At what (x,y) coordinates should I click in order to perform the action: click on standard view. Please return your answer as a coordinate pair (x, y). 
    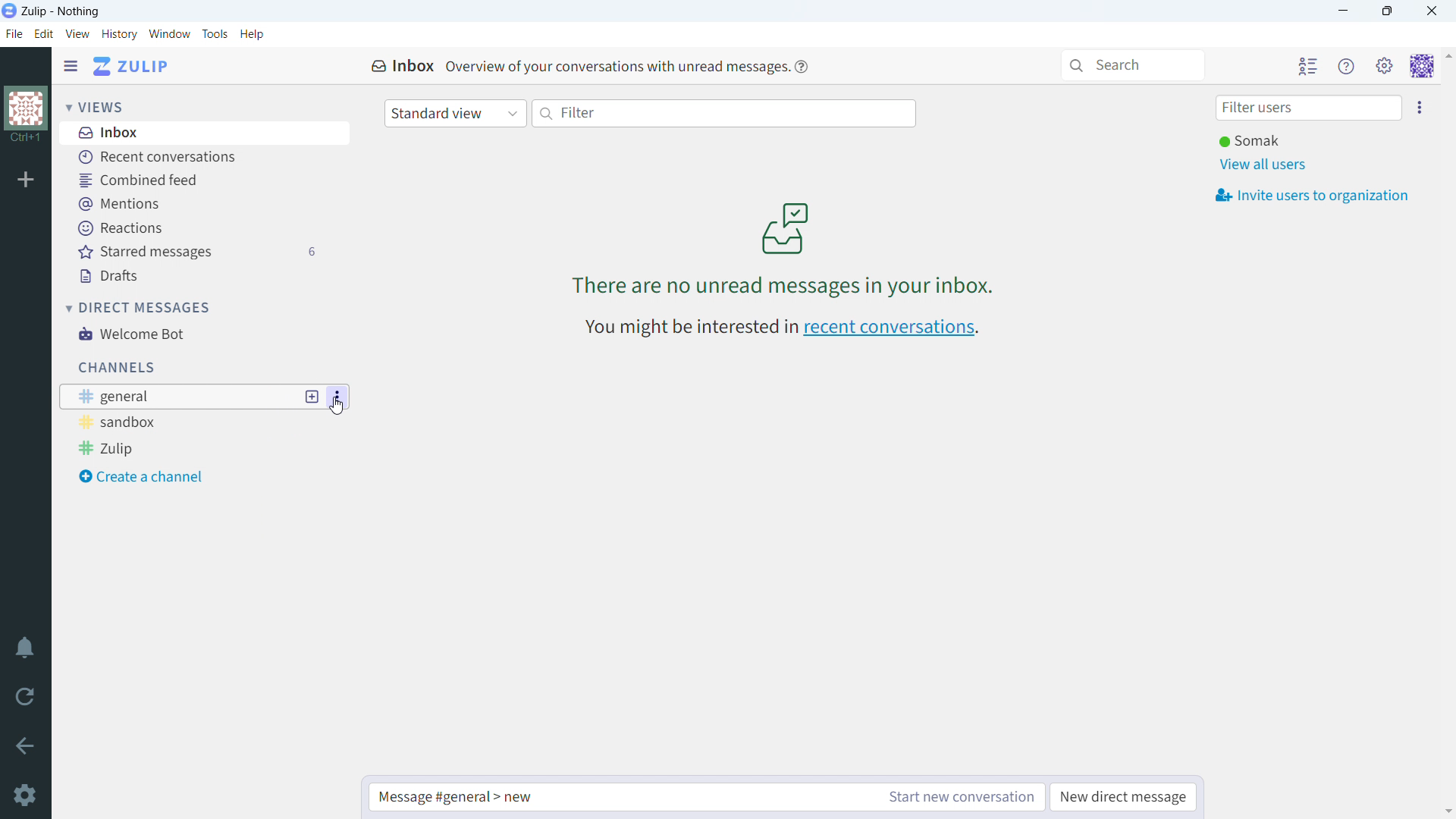
    Looking at the image, I should click on (455, 114).